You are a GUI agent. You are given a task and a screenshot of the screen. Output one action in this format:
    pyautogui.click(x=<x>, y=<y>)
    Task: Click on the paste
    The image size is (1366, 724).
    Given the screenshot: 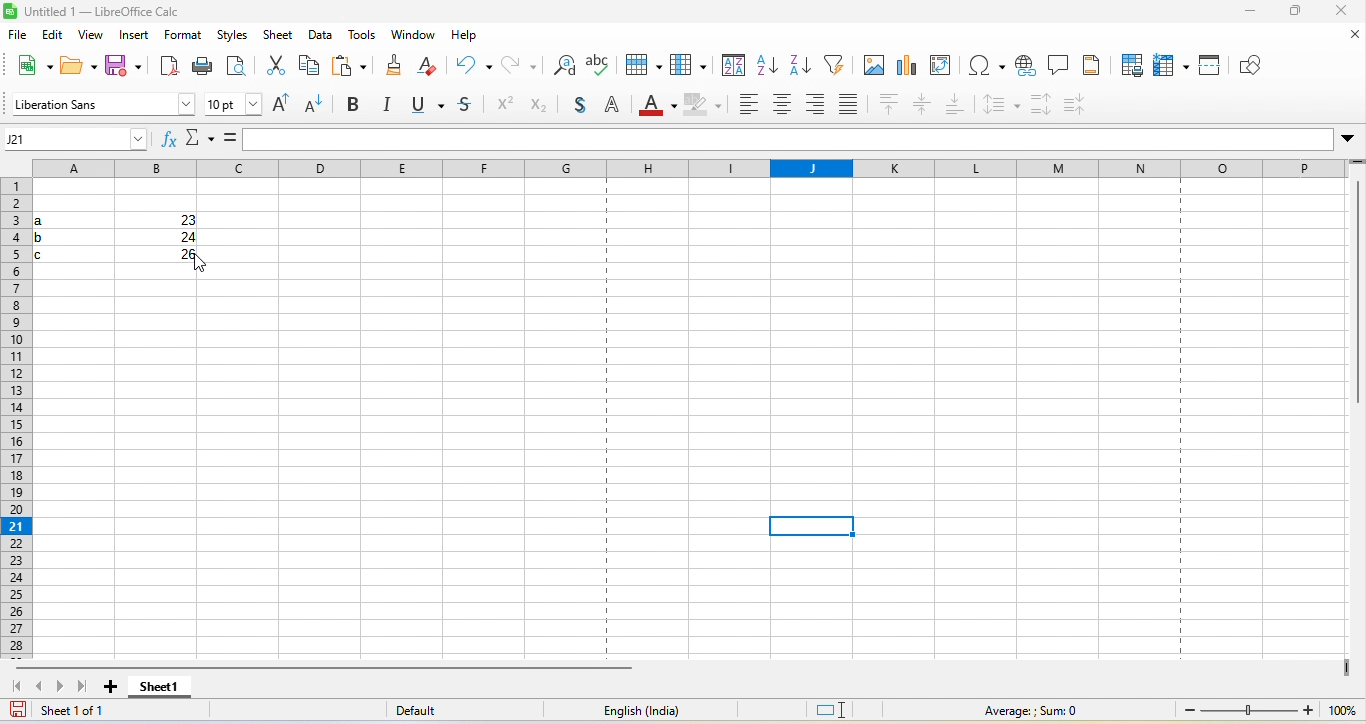 What is the action you would take?
    pyautogui.click(x=350, y=67)
    